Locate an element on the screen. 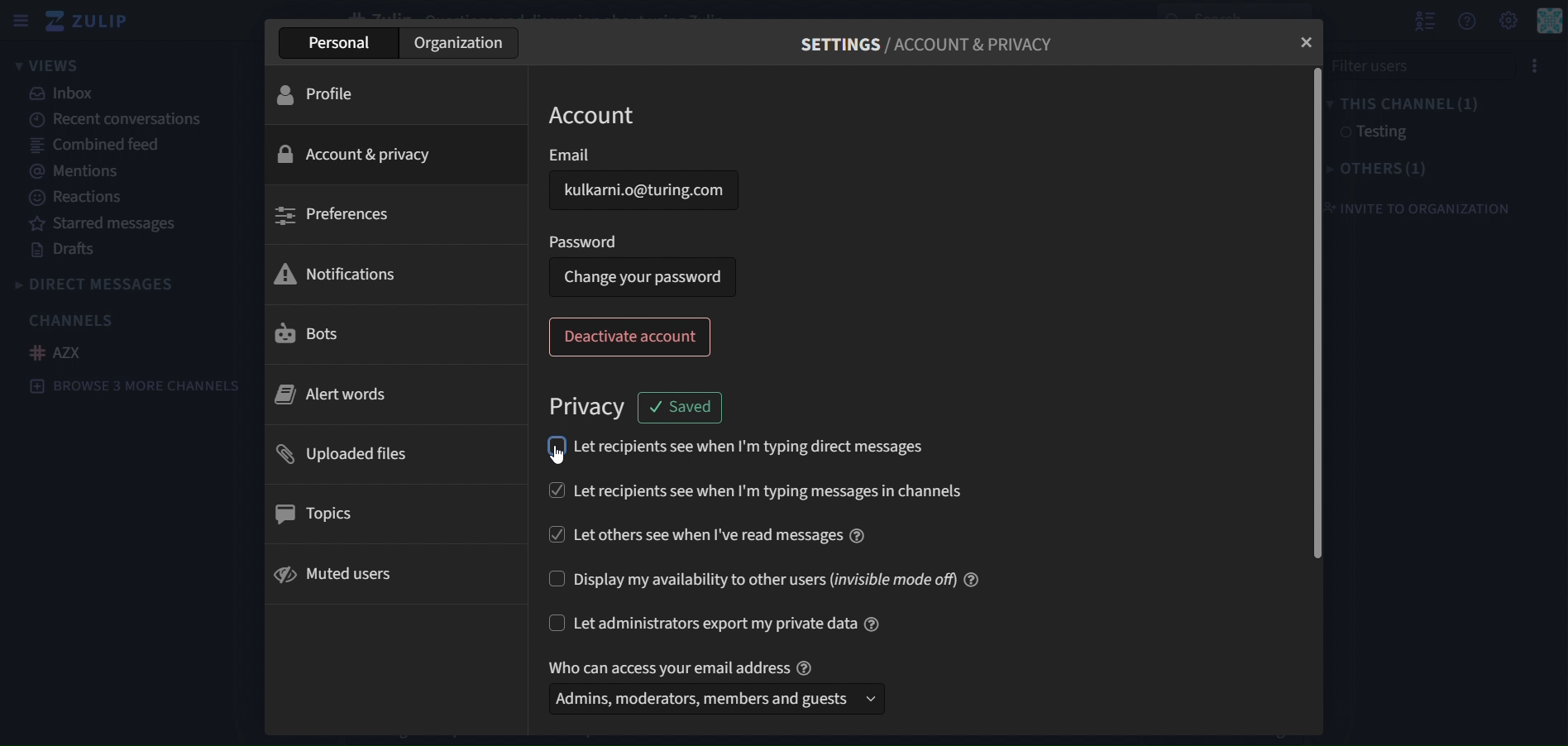 The height and width of the screenshot is (746, 1568). directmessages is located at coordinates (127, 284).